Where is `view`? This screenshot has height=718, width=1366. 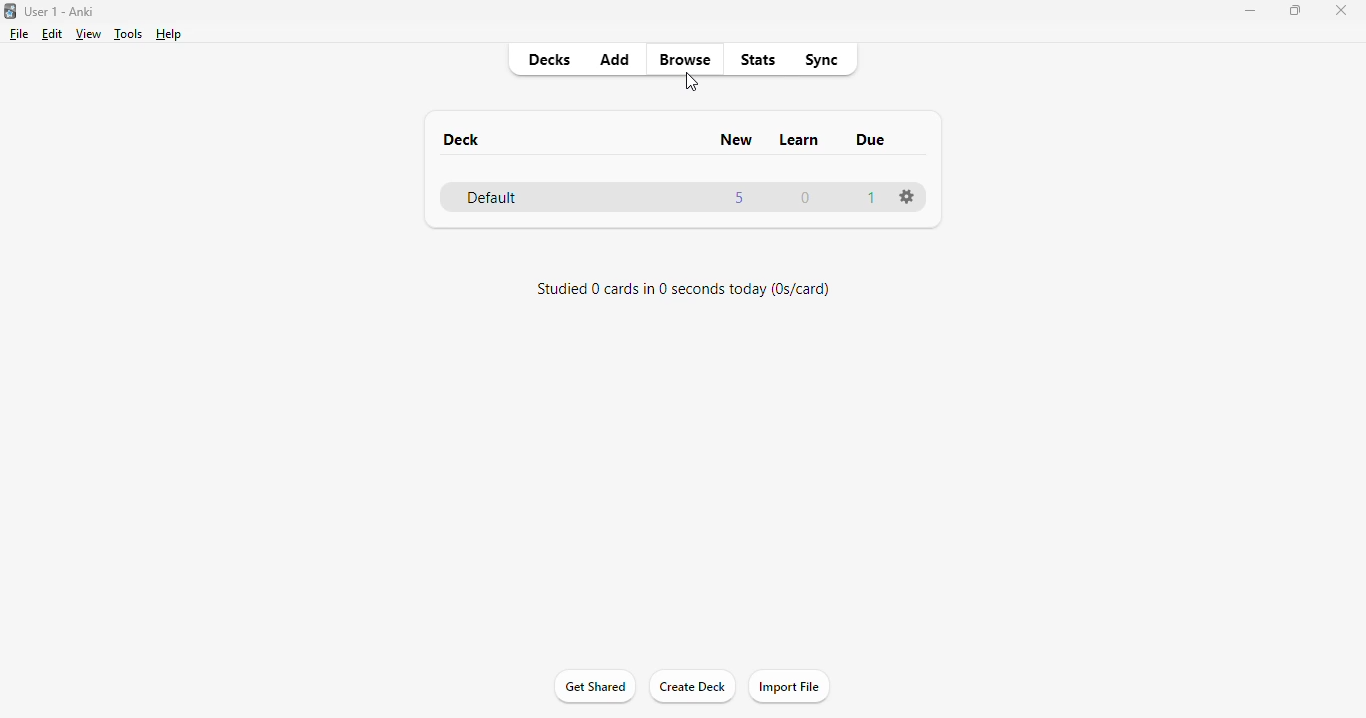
view is located at coordinates (87, 34).